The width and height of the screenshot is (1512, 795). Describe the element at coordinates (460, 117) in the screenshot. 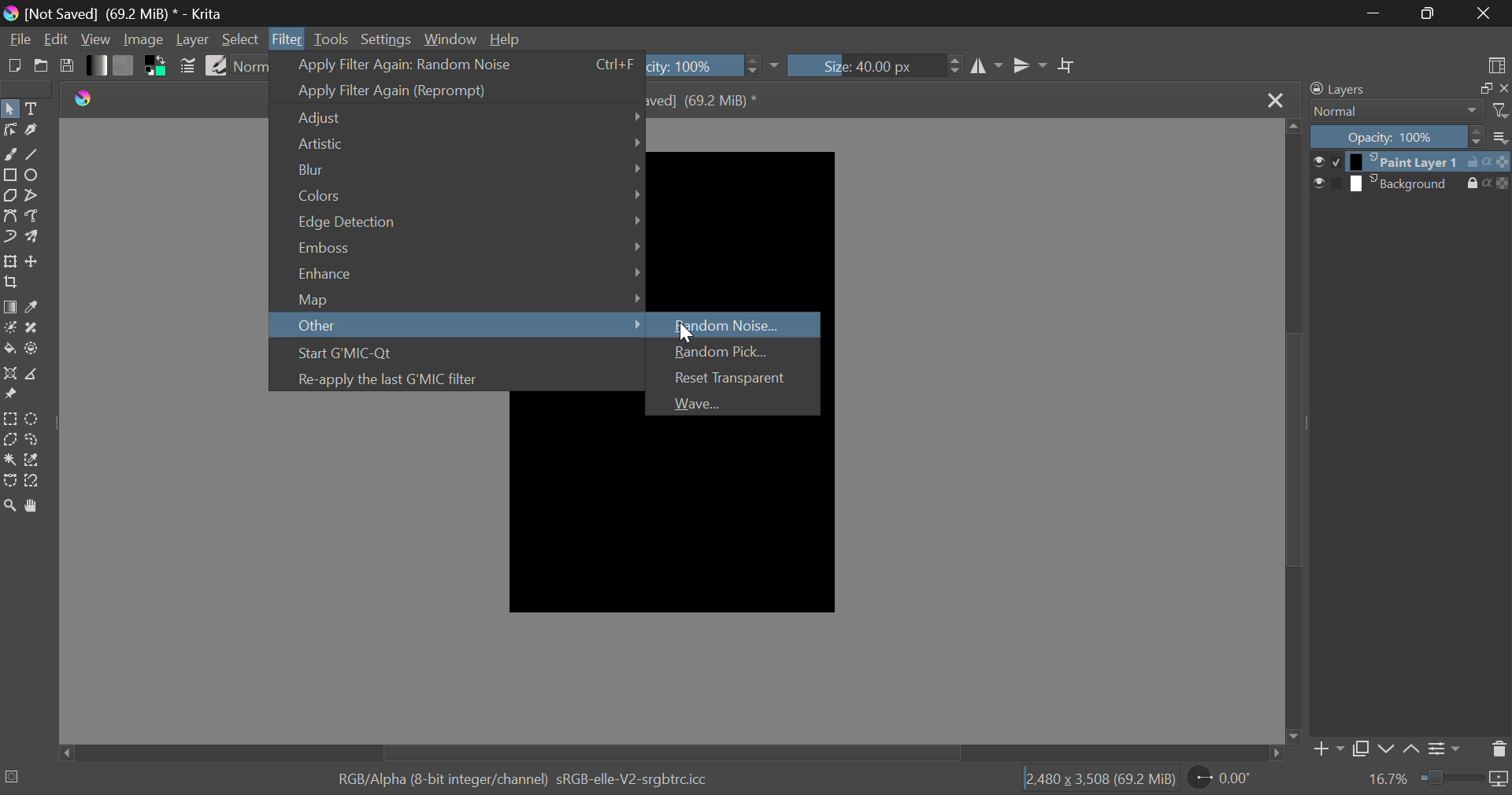

I see `Adjust` at that location.